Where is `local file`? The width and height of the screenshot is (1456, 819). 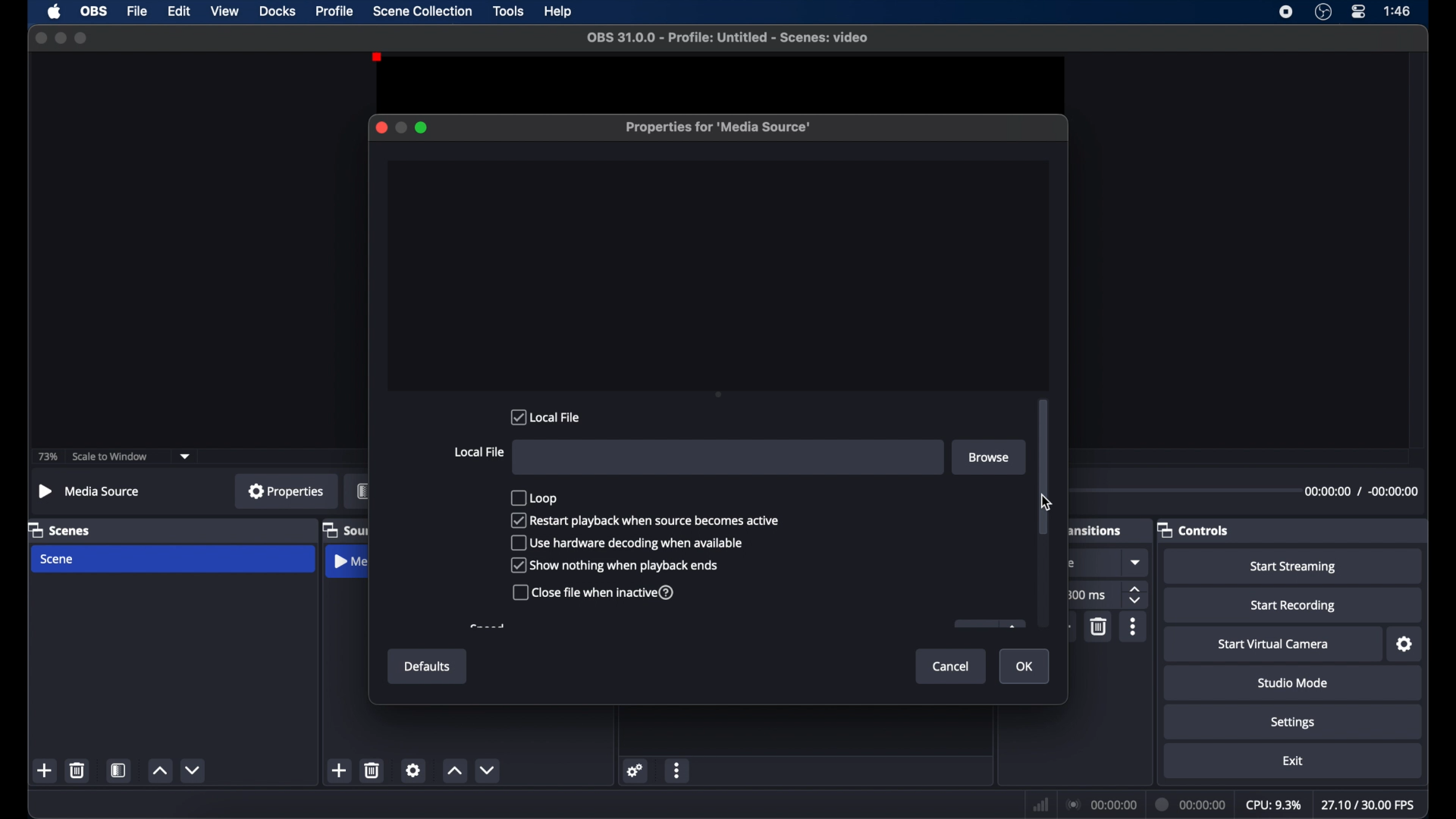
local file is located at coordinates (479, 453).